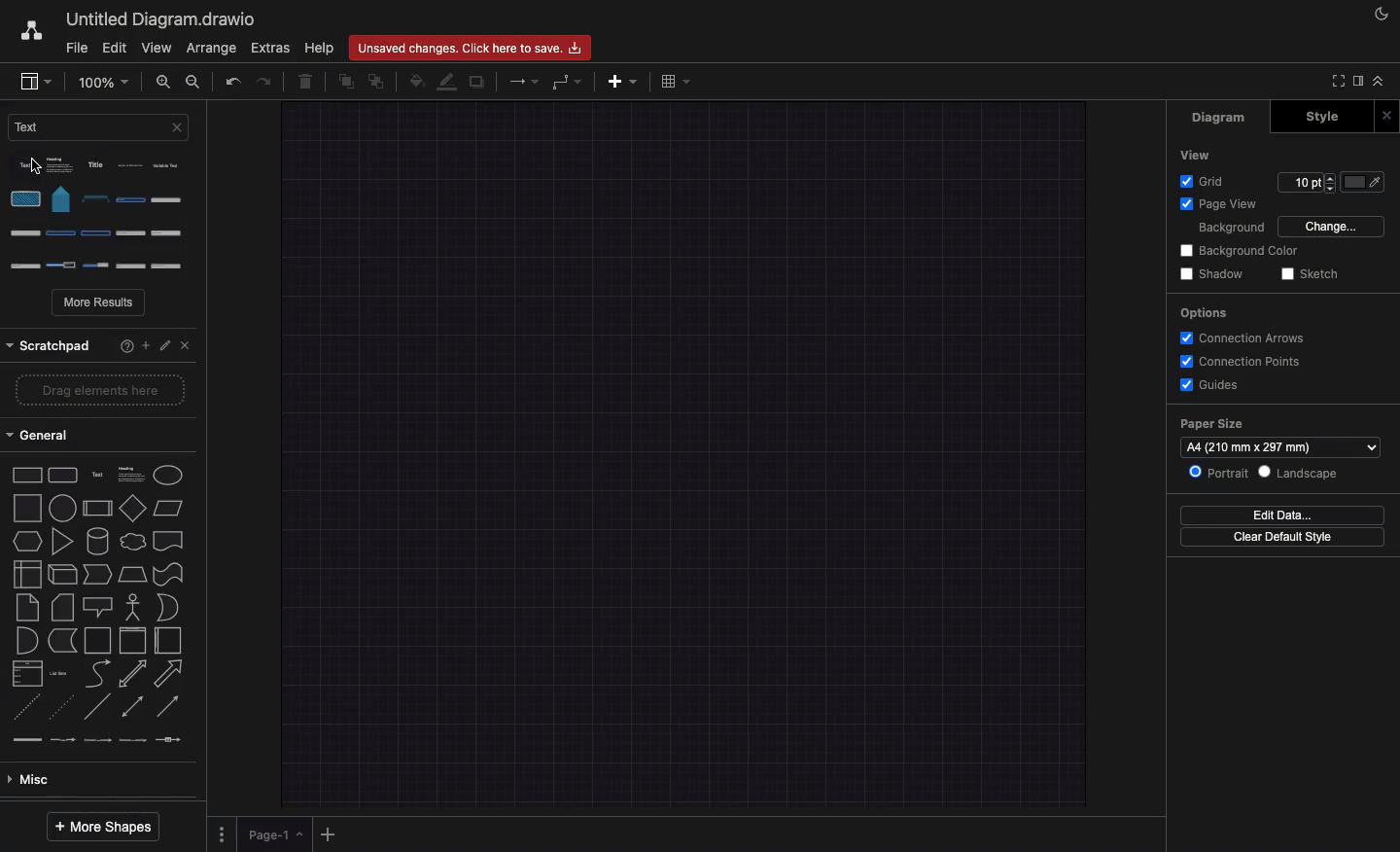 This screenshot has height=852, width=1400. I want to click on To front, so click(345, 83).